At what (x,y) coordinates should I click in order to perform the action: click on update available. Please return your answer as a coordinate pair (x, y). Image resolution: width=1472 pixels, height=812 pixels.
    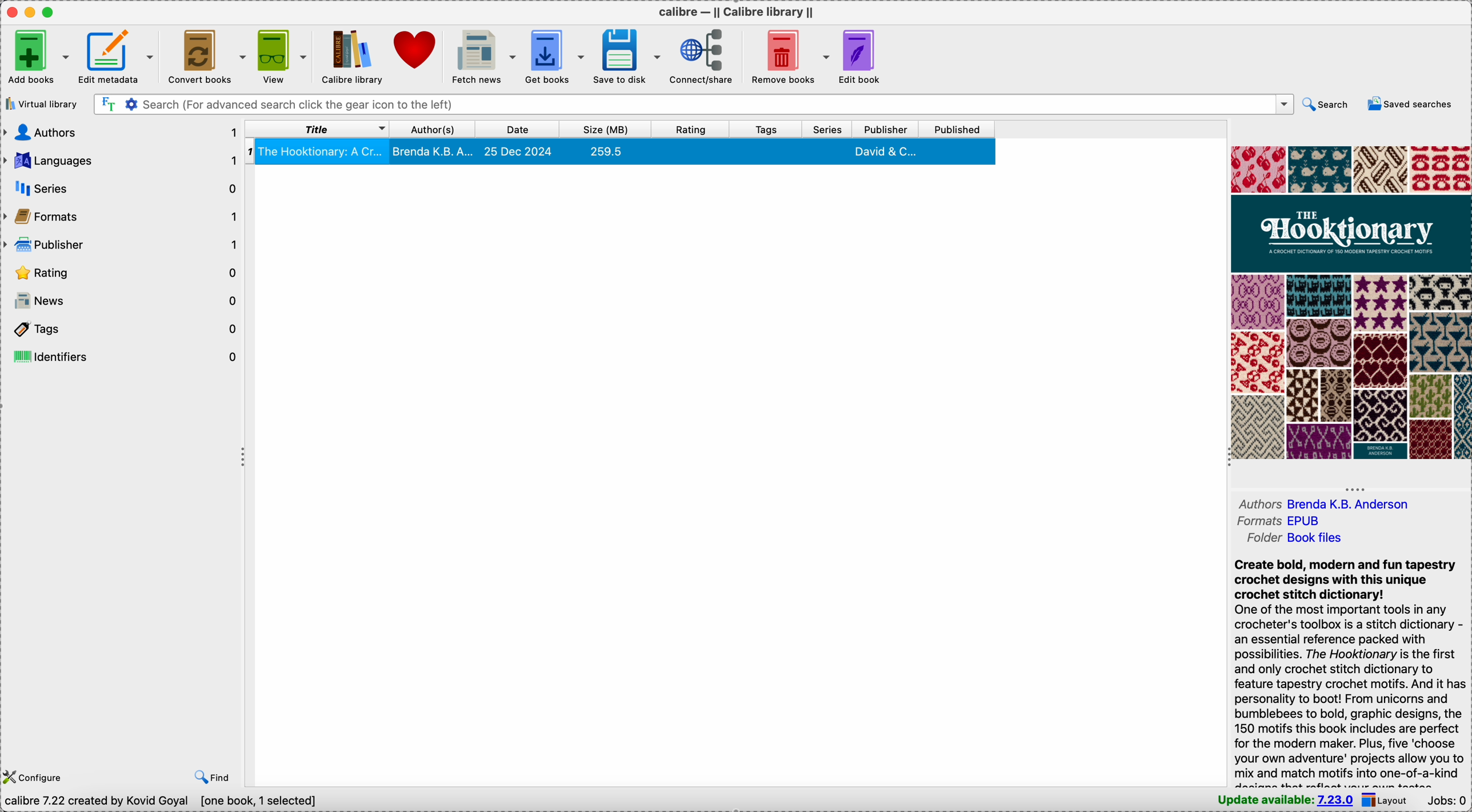
    Looking at the image, I should click on (1282, 802).